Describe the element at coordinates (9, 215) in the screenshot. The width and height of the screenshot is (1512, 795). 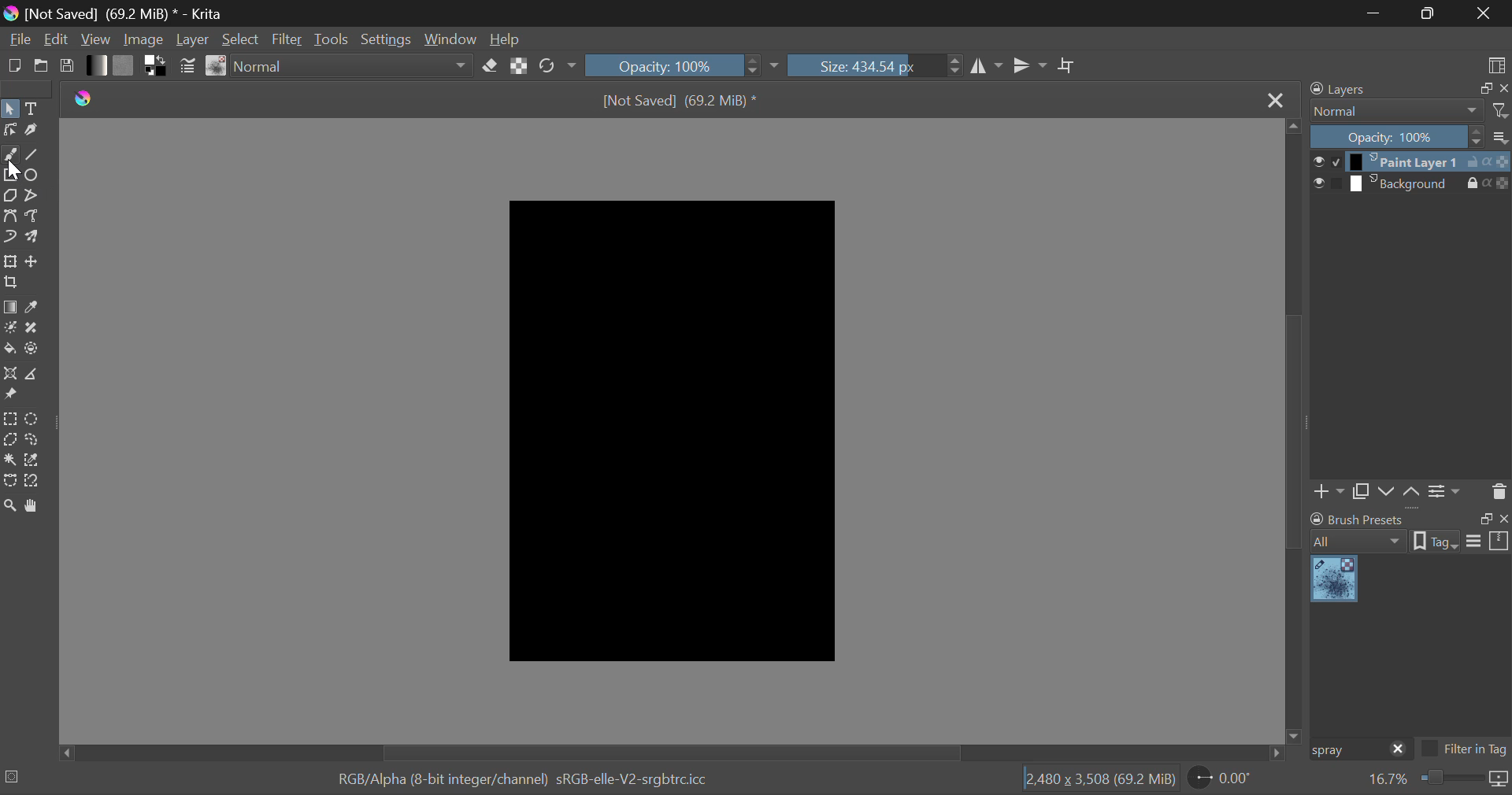
I see `Bezier Curve` at that location.